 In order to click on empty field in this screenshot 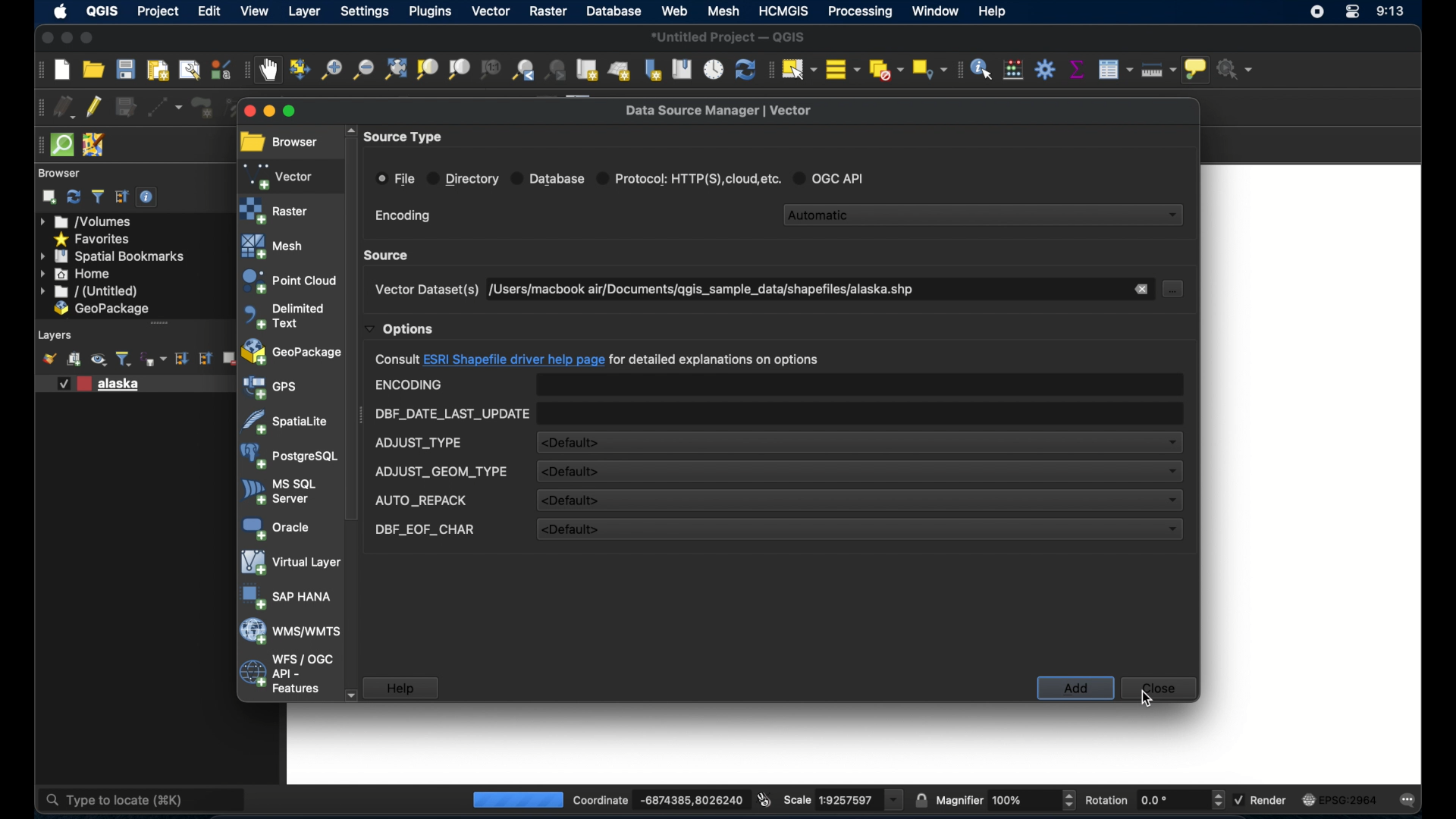, I will do `click(861, 413)`.